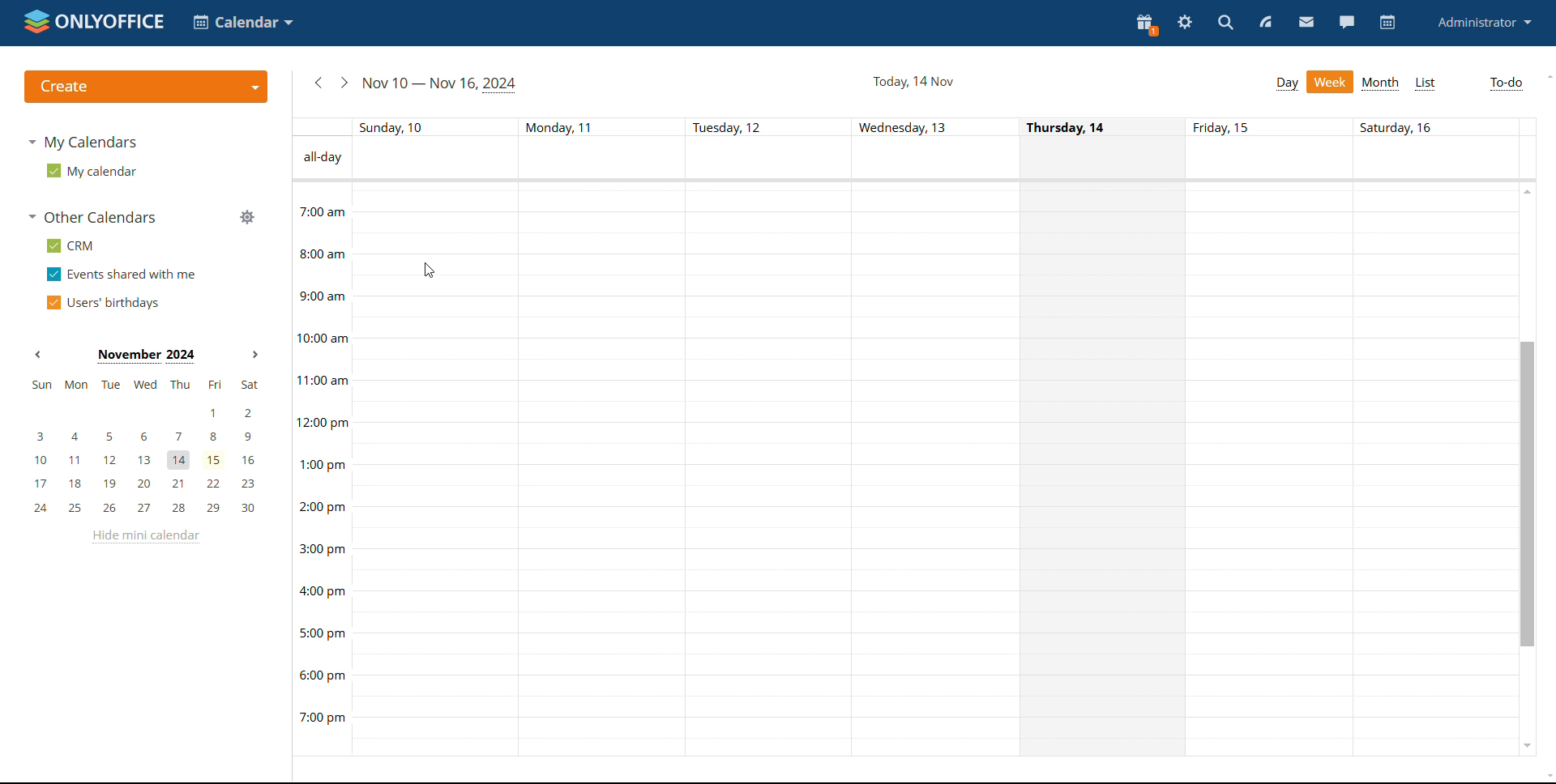 The width and height of the screenshot is (1556, 784). Describe the element at coordinates (912, 126) in the screenshot. I see `indiviual date` at that location.